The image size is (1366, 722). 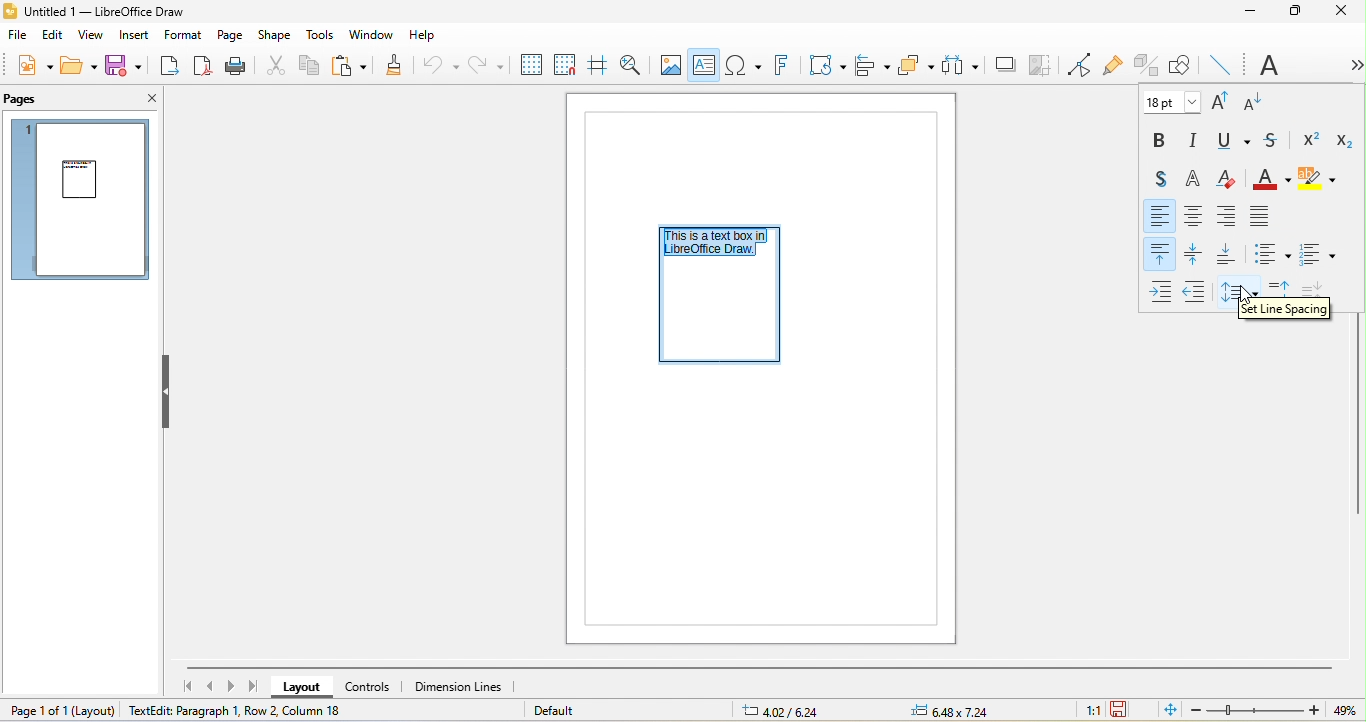 What do you see at coordinates (173, 67) in the screenshot?
I see `export` at bounding box center [173, 67].